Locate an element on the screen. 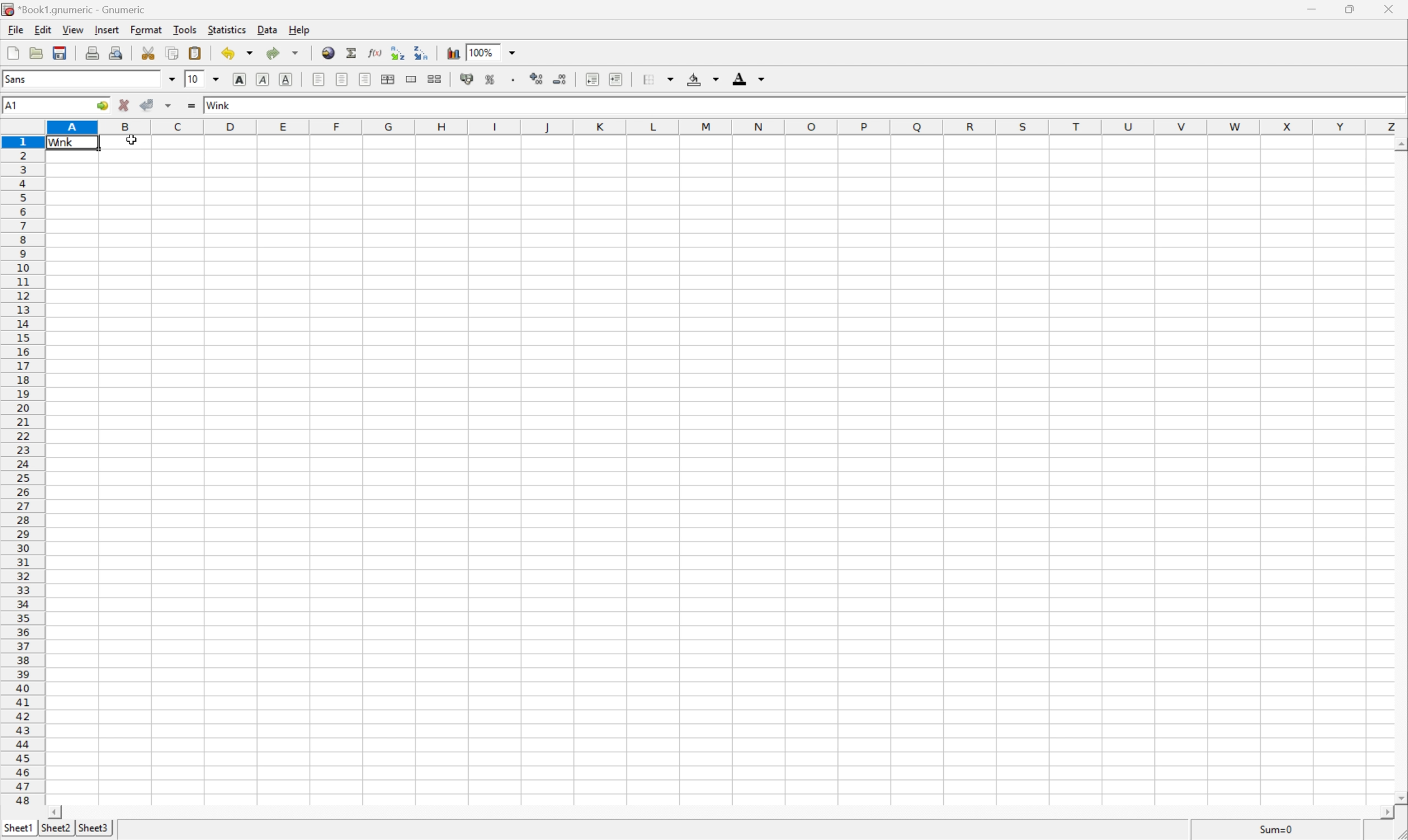  close is located at coordinates (1389, 11).